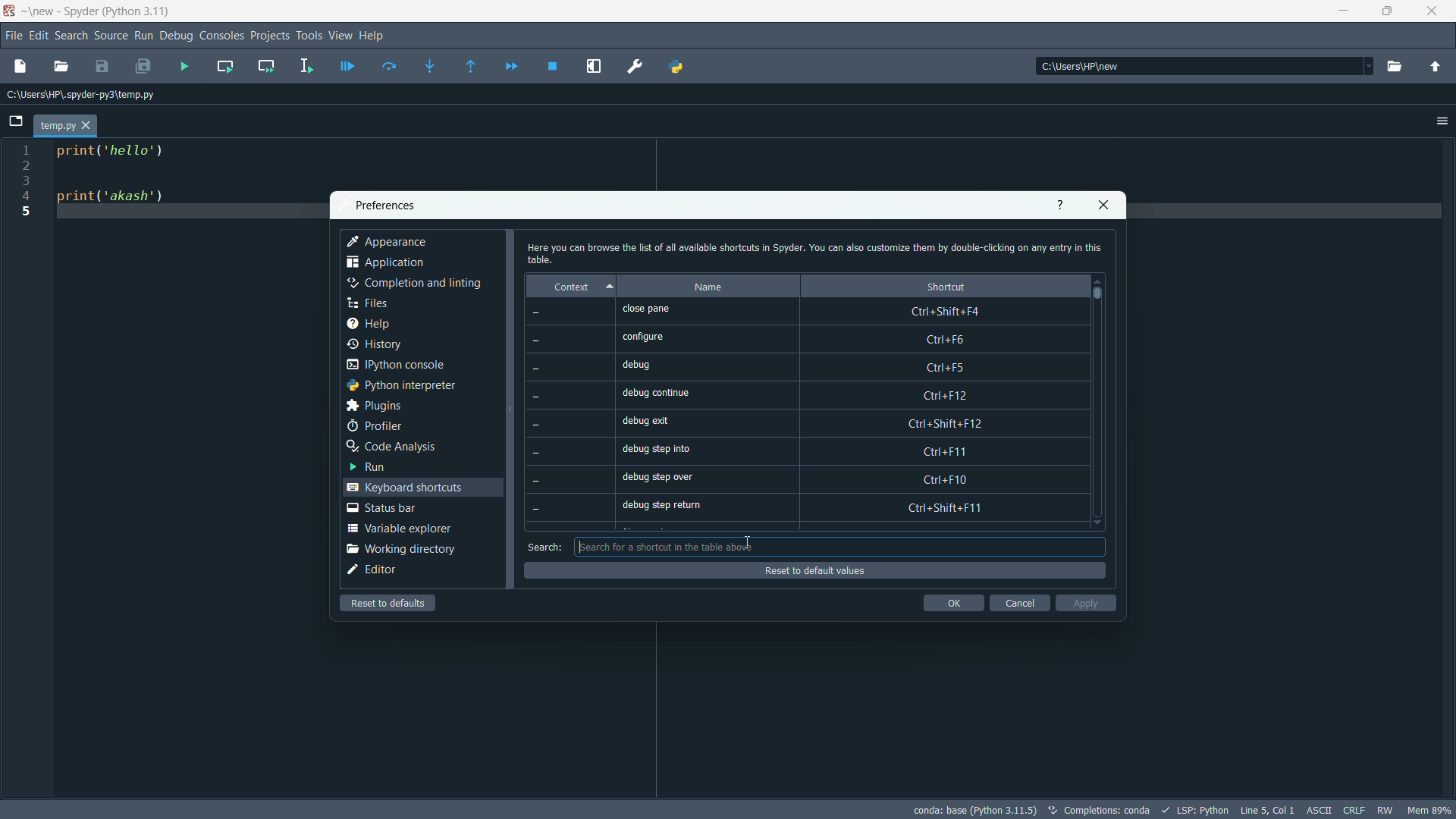  What do you see at coordinates (814, 252) in the screenshot?
I see `Here you can browse the lit of al available shortcuts in Spyder. You can also customize them by double-clicking on any entry in this table.` at bounding box center [814, 252].